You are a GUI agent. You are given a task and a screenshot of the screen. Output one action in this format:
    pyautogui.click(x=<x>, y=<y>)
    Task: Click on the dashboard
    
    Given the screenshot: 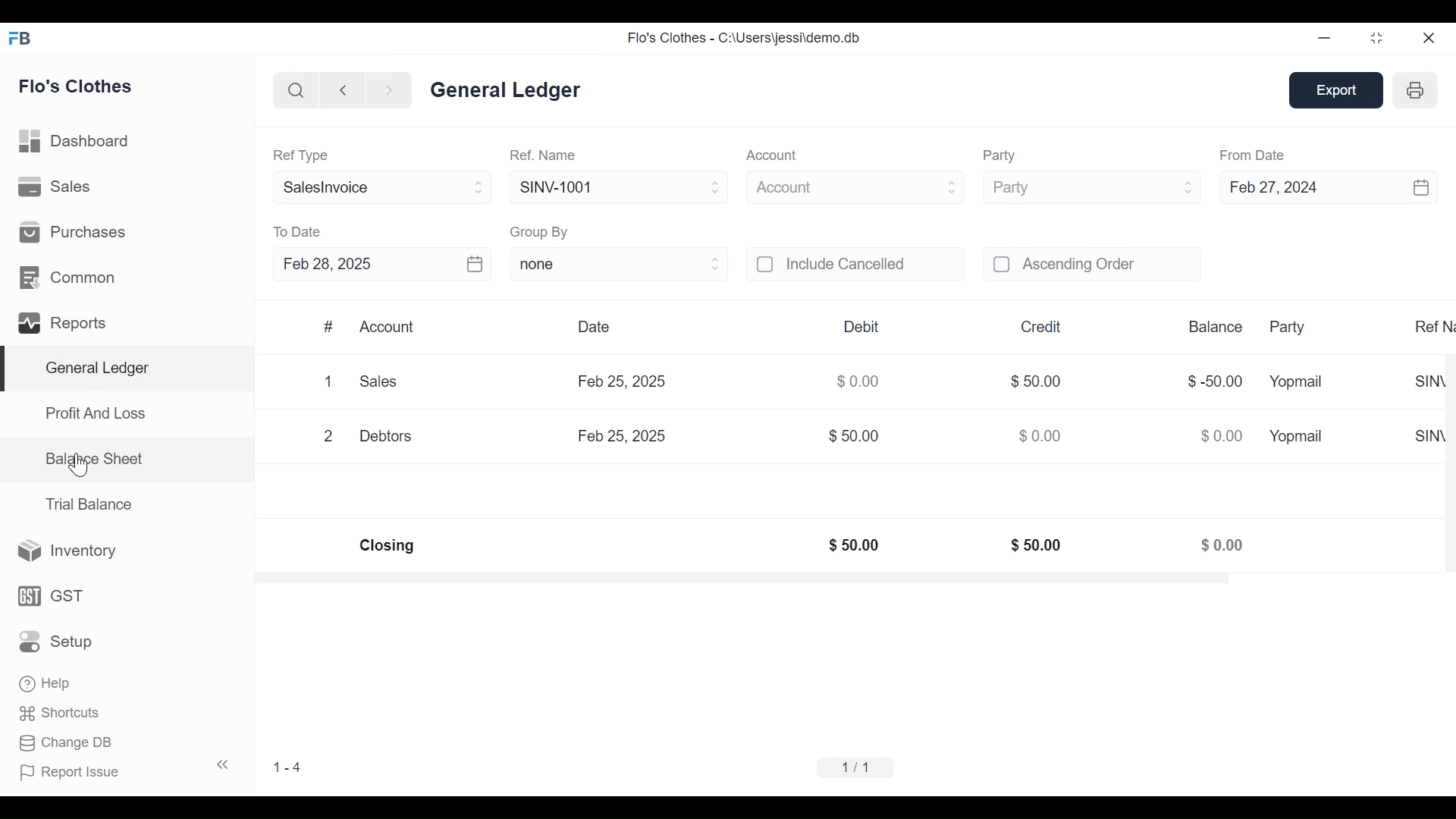 What is the action you would take?
    pyautogui.click(x=77, y=144)
    